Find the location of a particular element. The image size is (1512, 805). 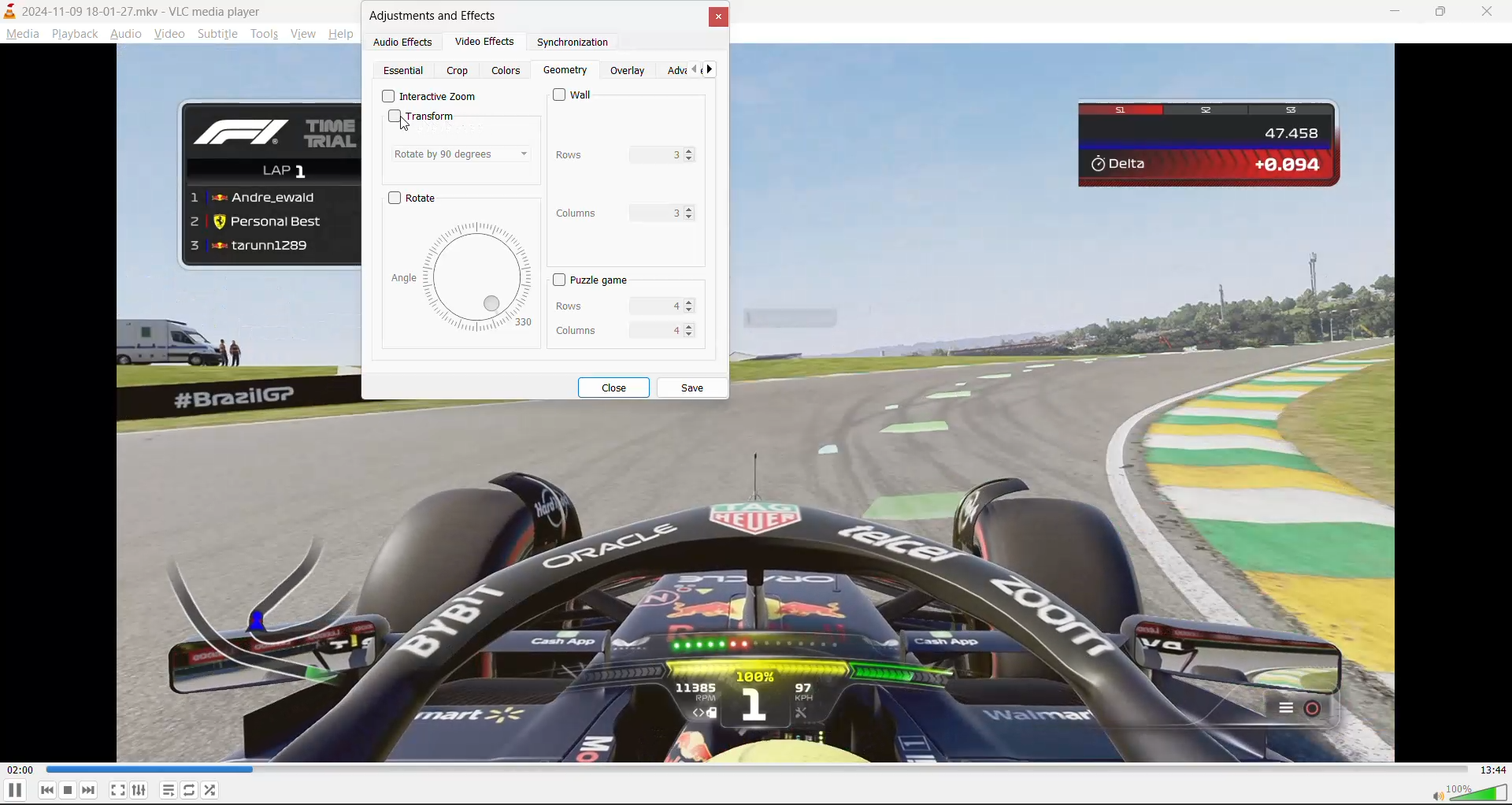

close is located at coordinates (1489, 12).